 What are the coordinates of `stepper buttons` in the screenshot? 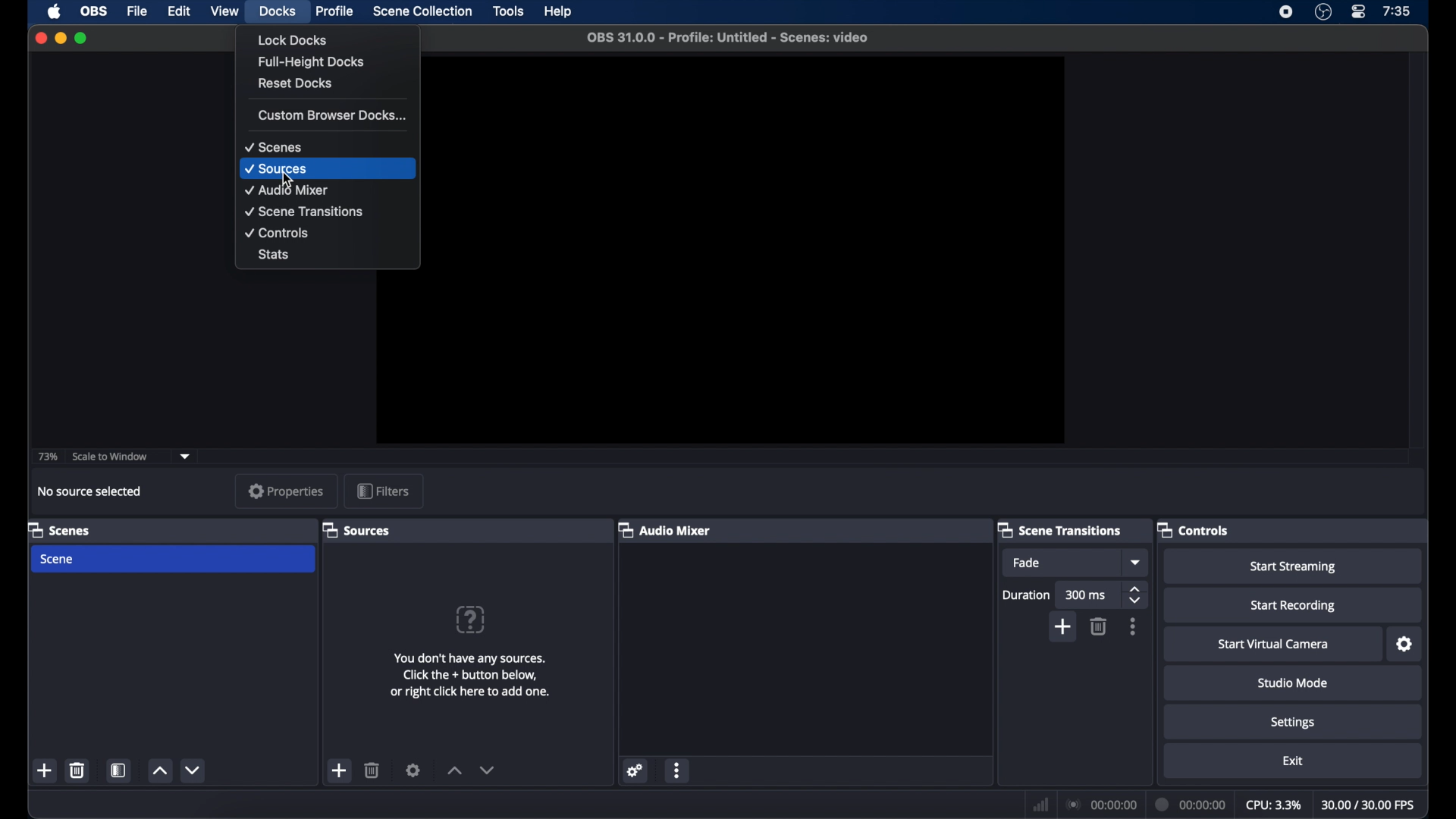 It's located at (1134, 594).